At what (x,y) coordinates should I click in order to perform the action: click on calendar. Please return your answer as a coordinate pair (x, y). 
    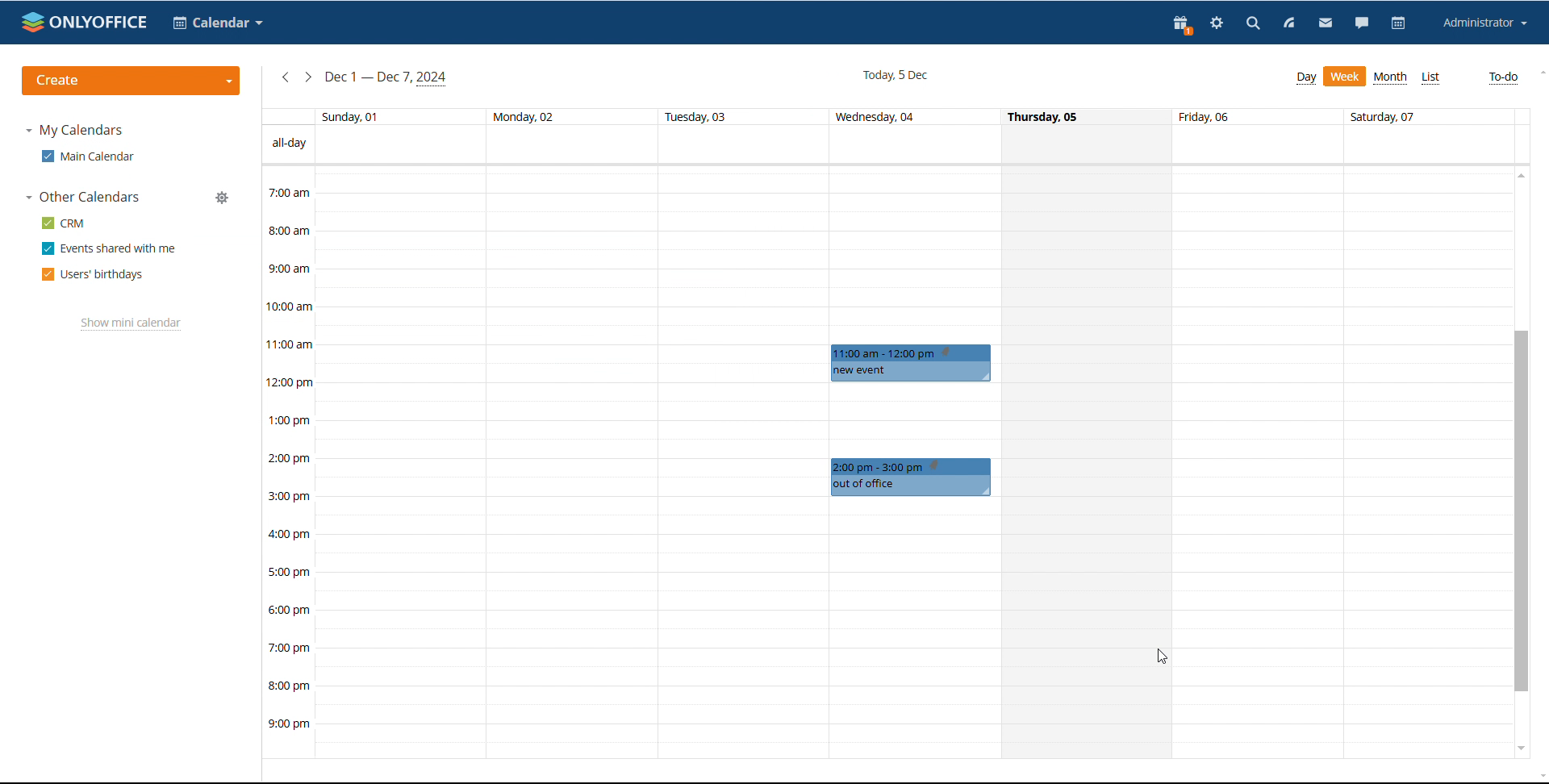
    Looking at the image, I should click on (1401, 24).